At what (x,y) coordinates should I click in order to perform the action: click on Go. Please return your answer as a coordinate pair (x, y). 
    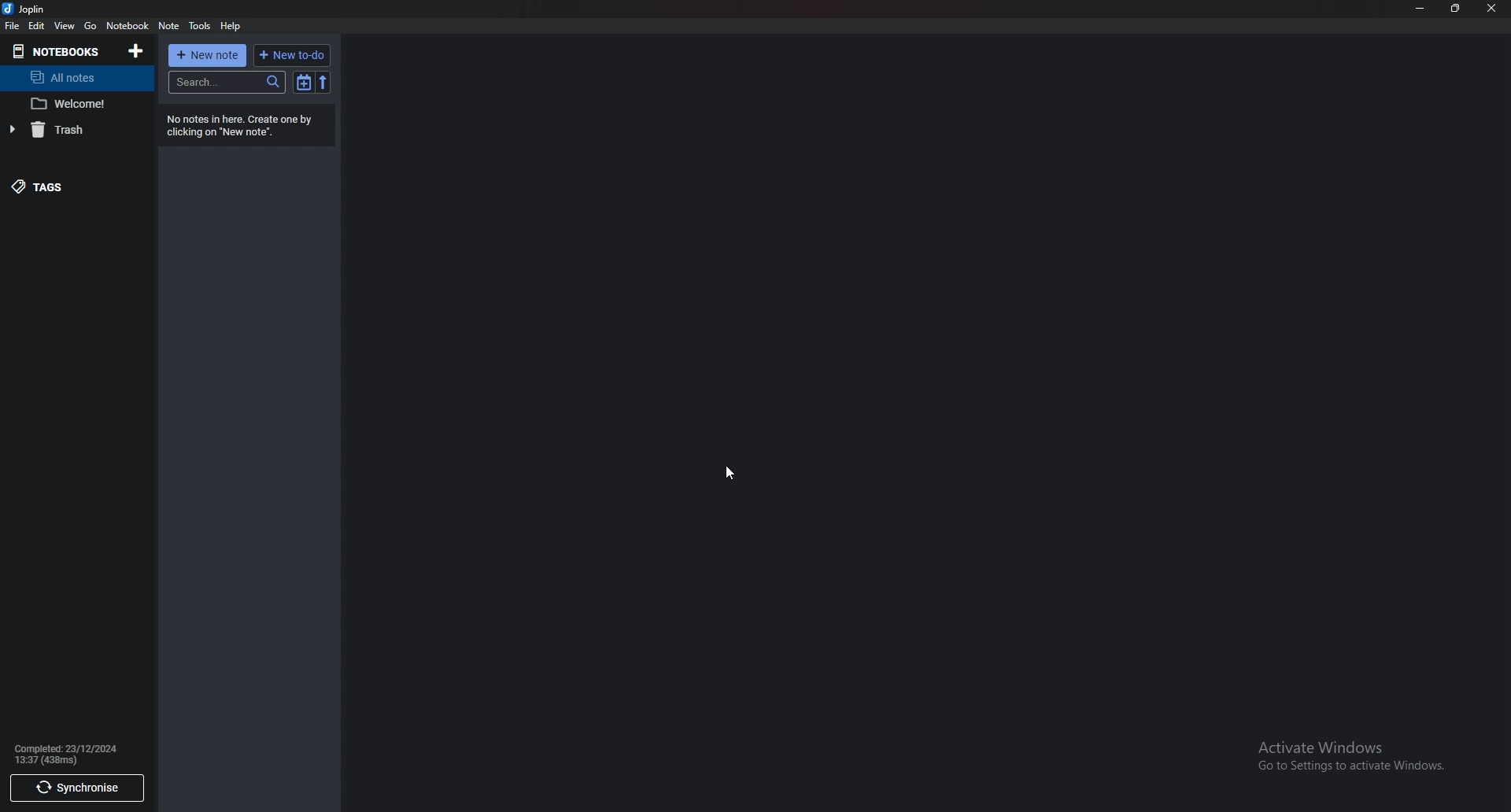
    Looking at the image, I should click on (90, 25).